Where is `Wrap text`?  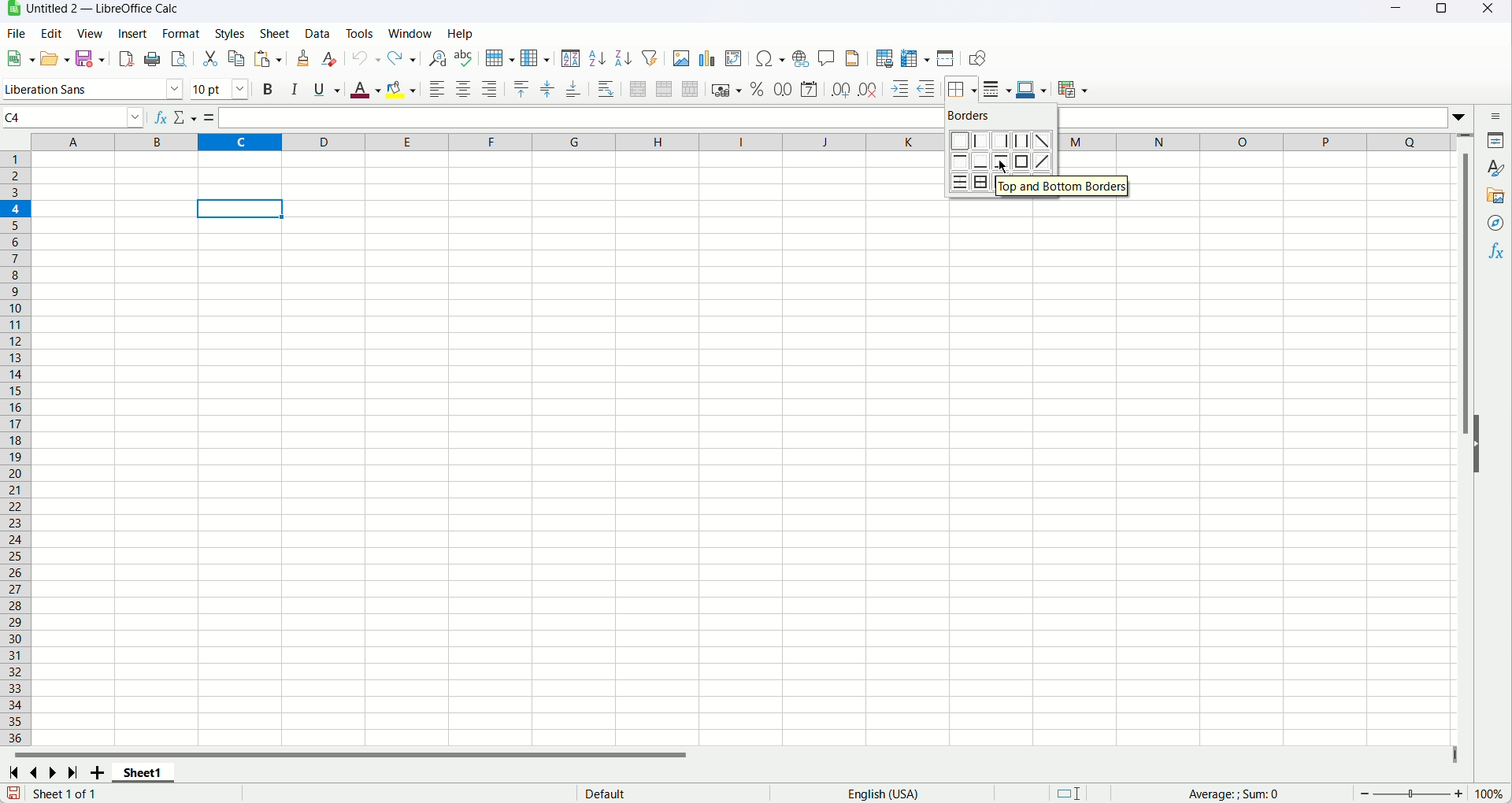
Wrap text is located at coordinates (606, 89).